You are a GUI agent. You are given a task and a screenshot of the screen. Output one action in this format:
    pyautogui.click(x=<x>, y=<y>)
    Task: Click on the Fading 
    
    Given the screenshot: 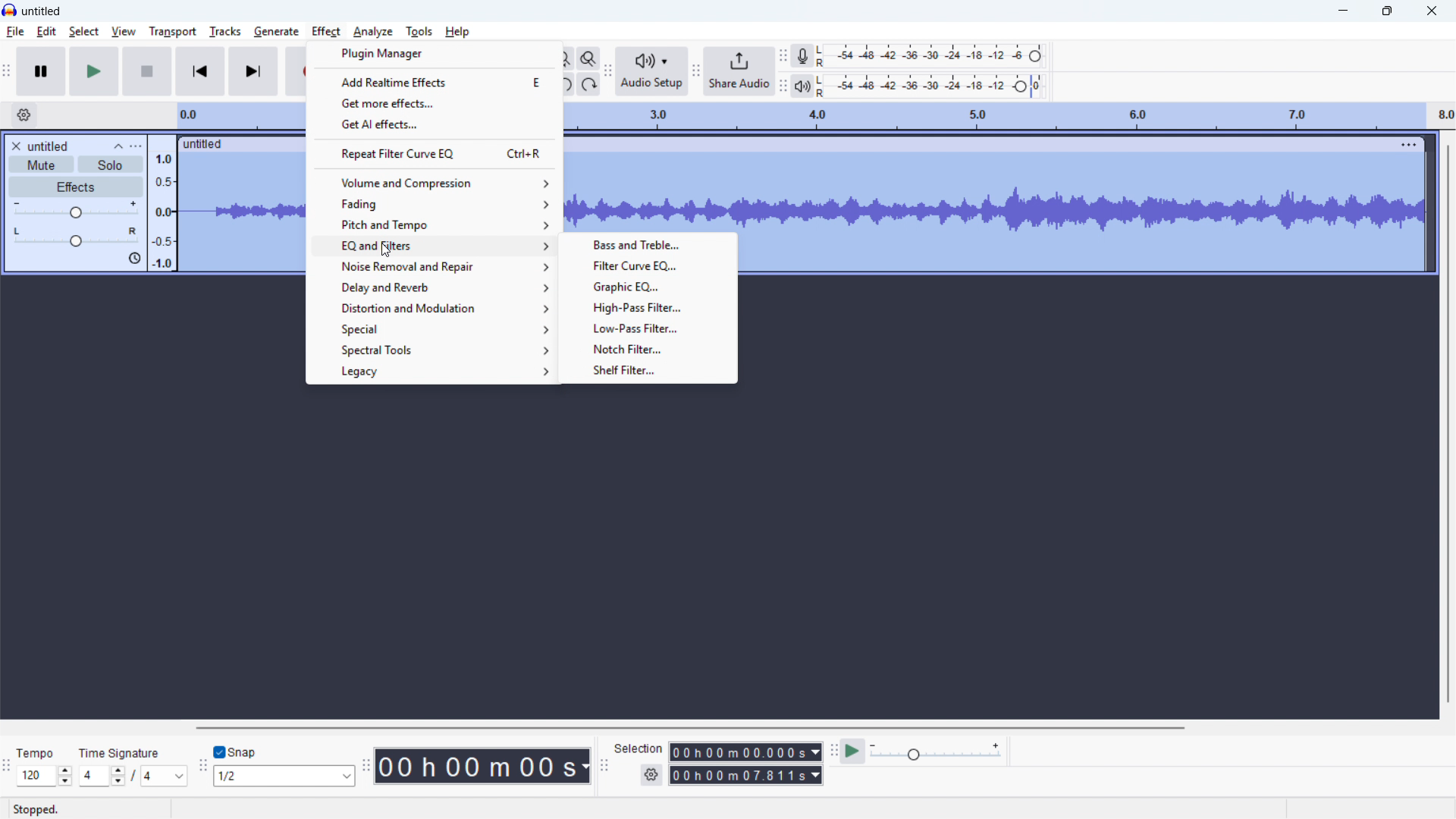 What is the action you would take?
    pyautogui.click(x=435, y=203)
    